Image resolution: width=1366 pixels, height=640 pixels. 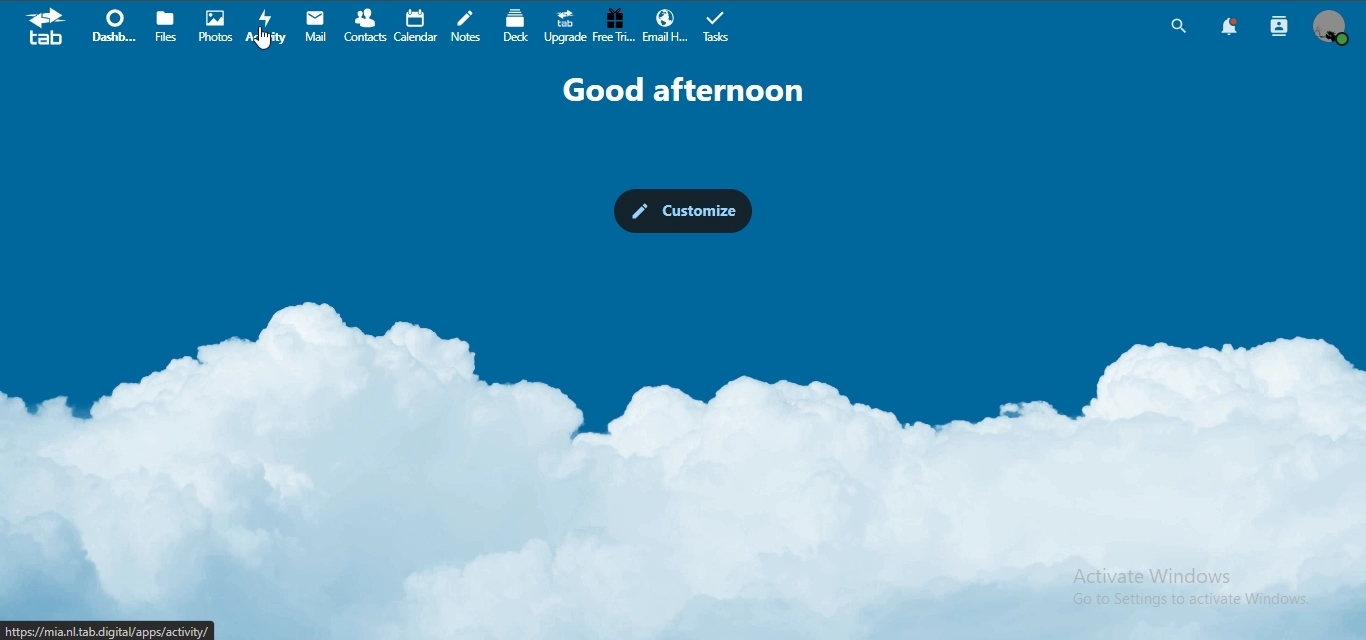 I want to click on https://mia.nl.tabdigital/apps/activity/ , so click(x=119, y=628).